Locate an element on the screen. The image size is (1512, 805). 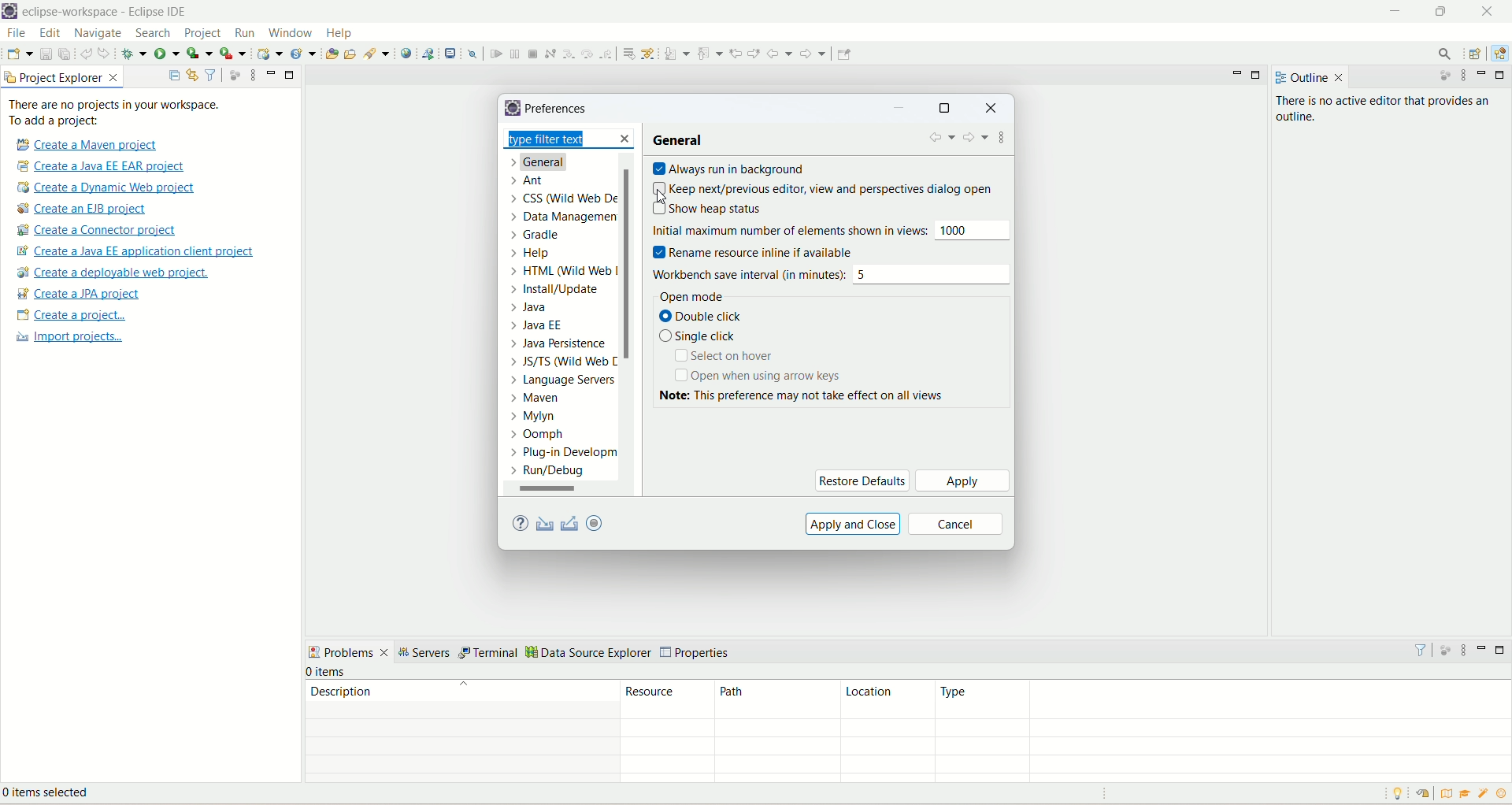
0 items is located at coordinates (328, 672).